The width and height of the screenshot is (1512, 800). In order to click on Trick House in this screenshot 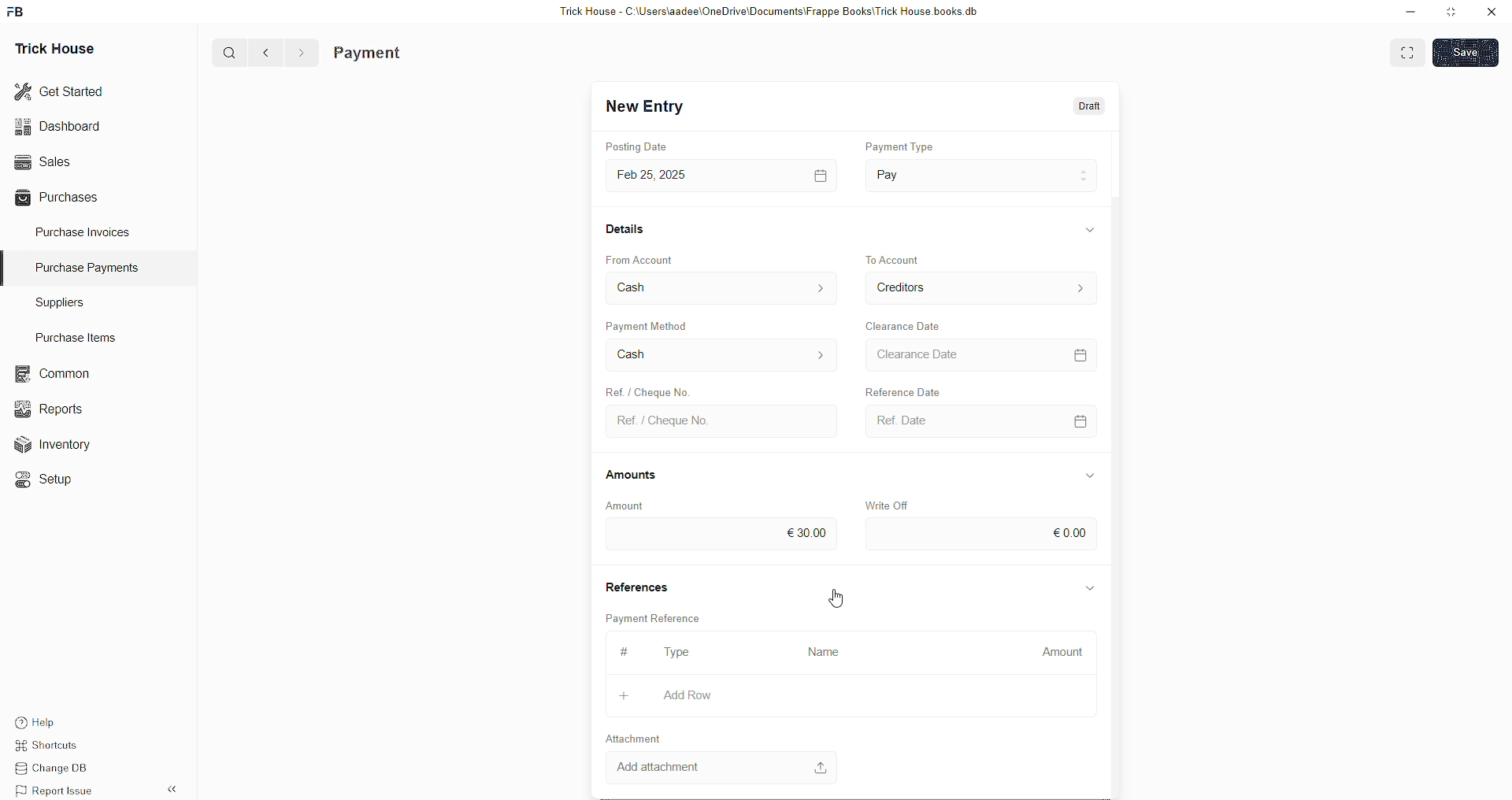, I will do `click(50, 47)`.